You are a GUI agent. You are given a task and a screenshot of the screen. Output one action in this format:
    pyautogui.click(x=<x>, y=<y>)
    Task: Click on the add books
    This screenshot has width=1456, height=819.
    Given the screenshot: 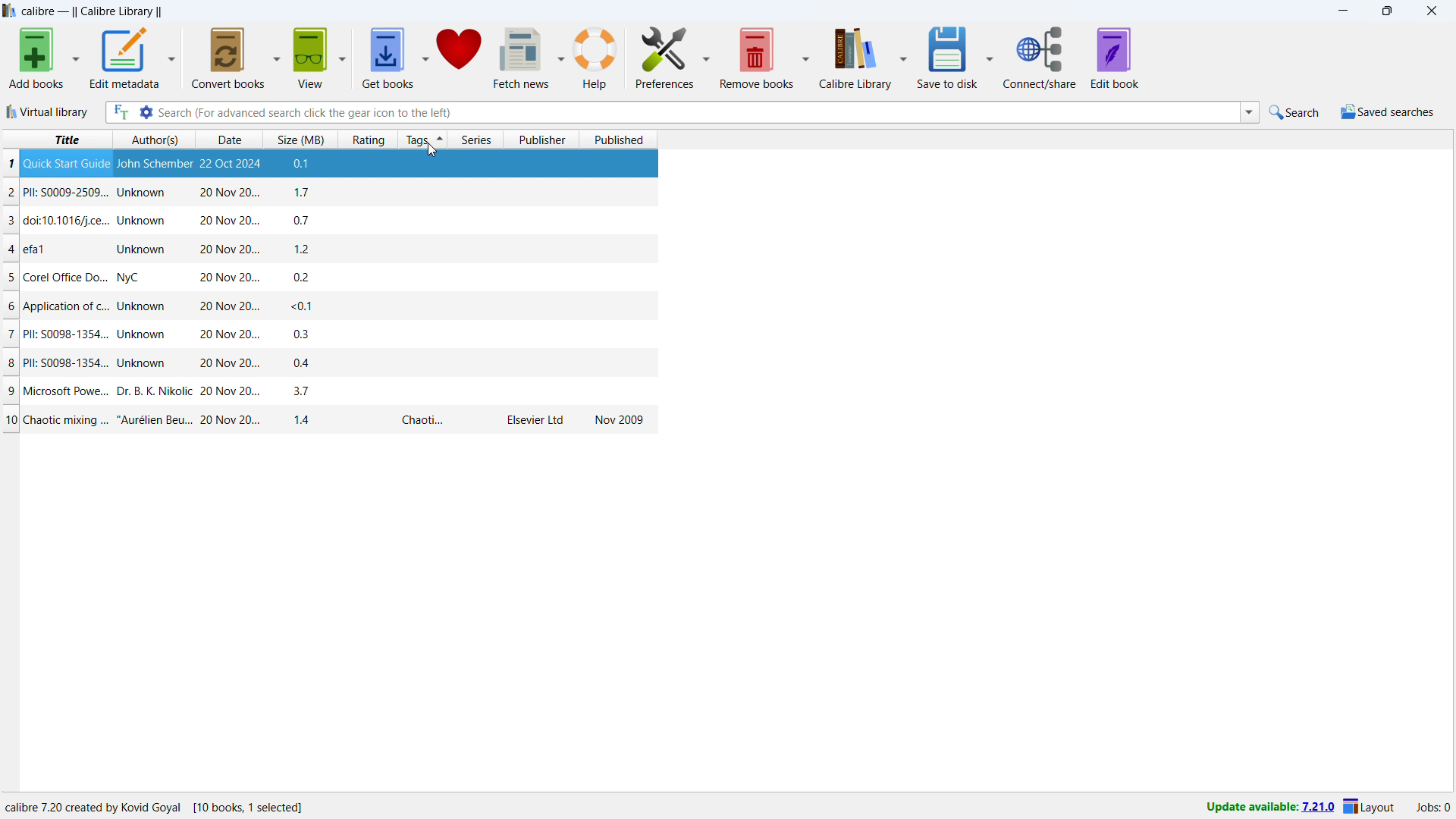 What is the action you would take?
    pyautogui.click(x=35, y=58)
    